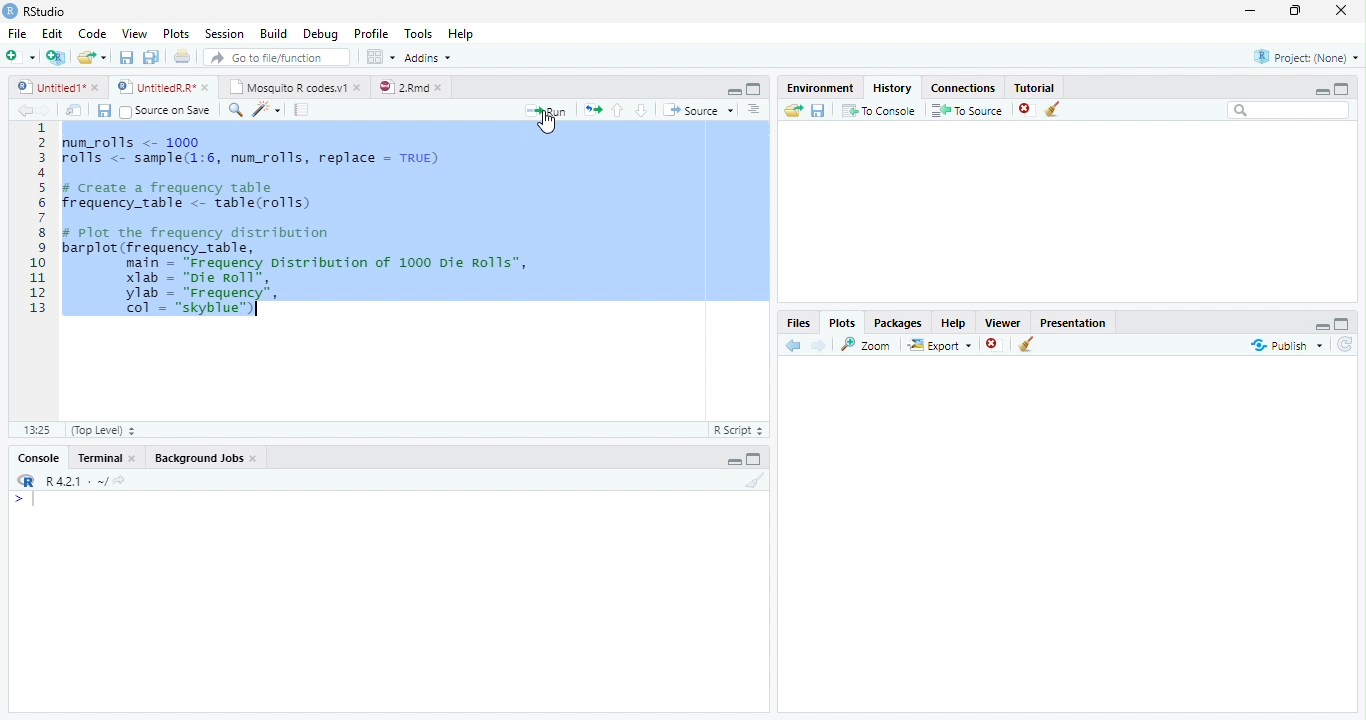 The image size is (1366, 720). What do you see at coordinates (103, 110) in the screenshot?
I see `Save` at bounding box center [103, 110].